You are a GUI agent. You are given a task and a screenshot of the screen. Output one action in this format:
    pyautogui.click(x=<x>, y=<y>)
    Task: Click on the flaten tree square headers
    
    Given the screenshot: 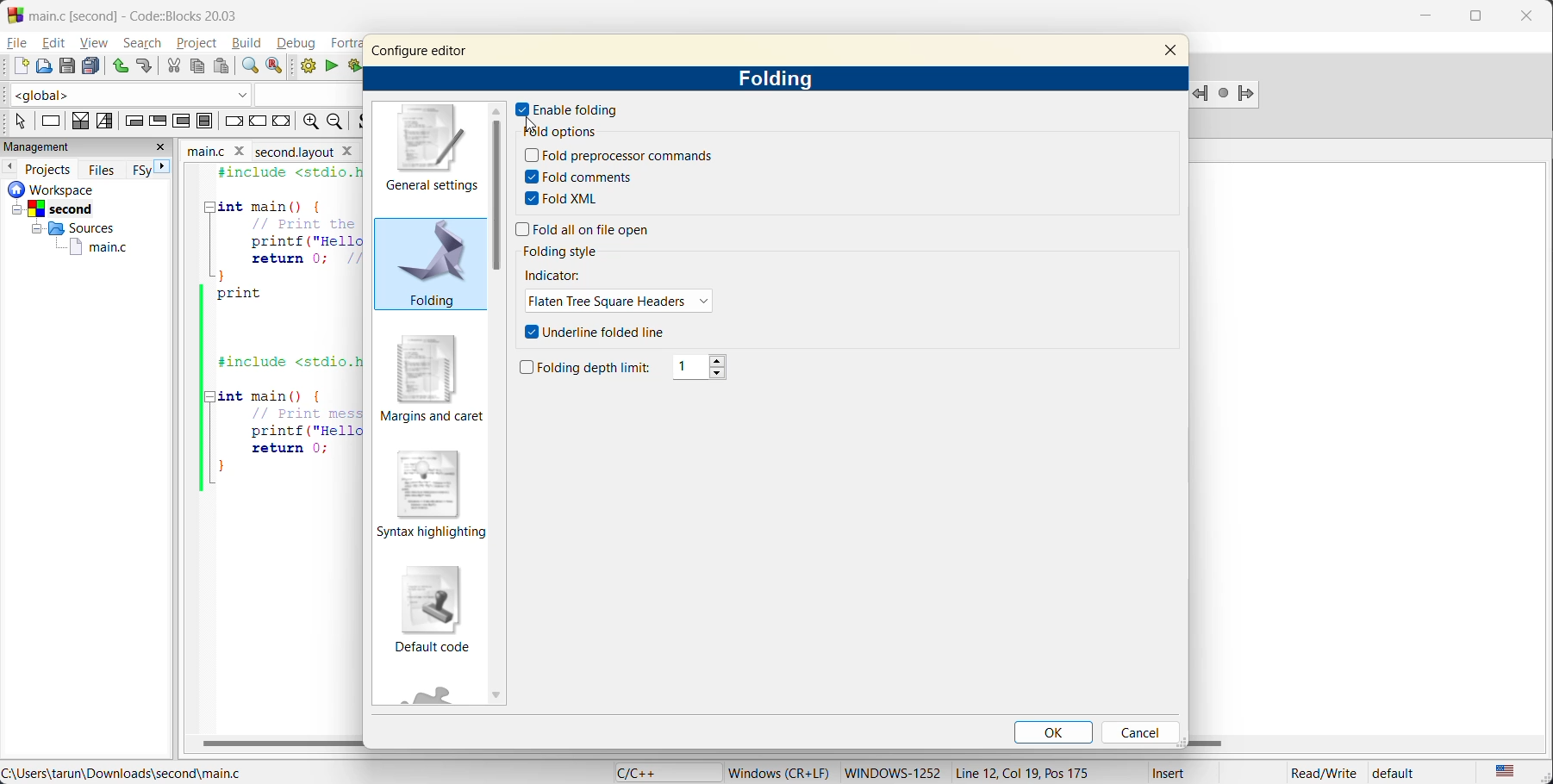 What is the action you would take?
    pyautogui.click(x=623, y=302)
    